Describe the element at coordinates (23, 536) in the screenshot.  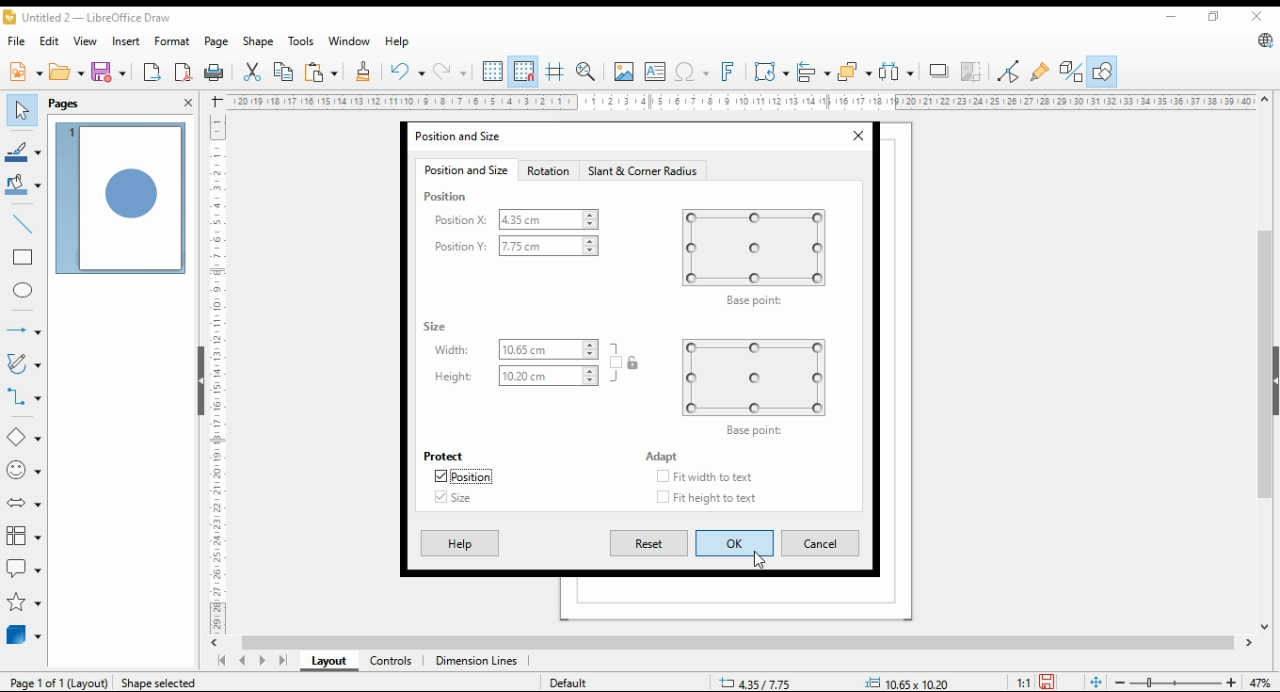
I see `flowchart` at that location.